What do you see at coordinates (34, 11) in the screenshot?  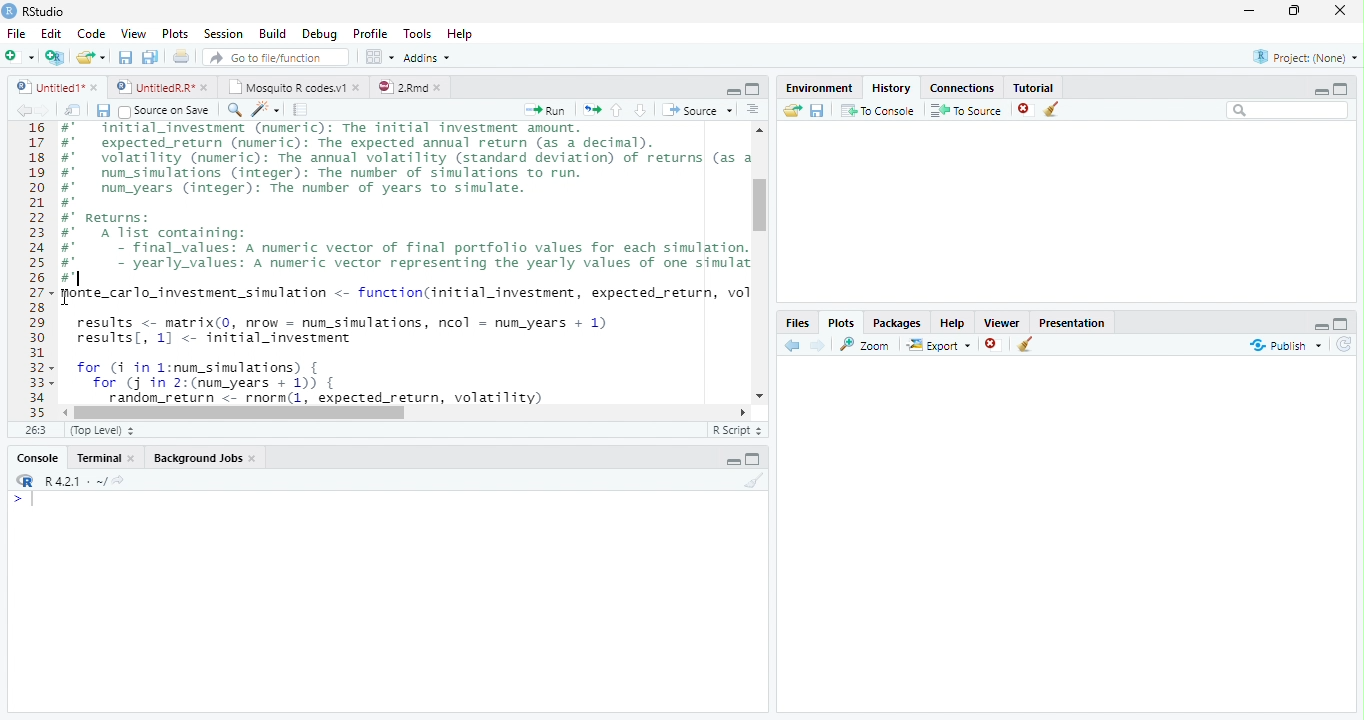 I see `RStudio` at bounding box center [34, 11].